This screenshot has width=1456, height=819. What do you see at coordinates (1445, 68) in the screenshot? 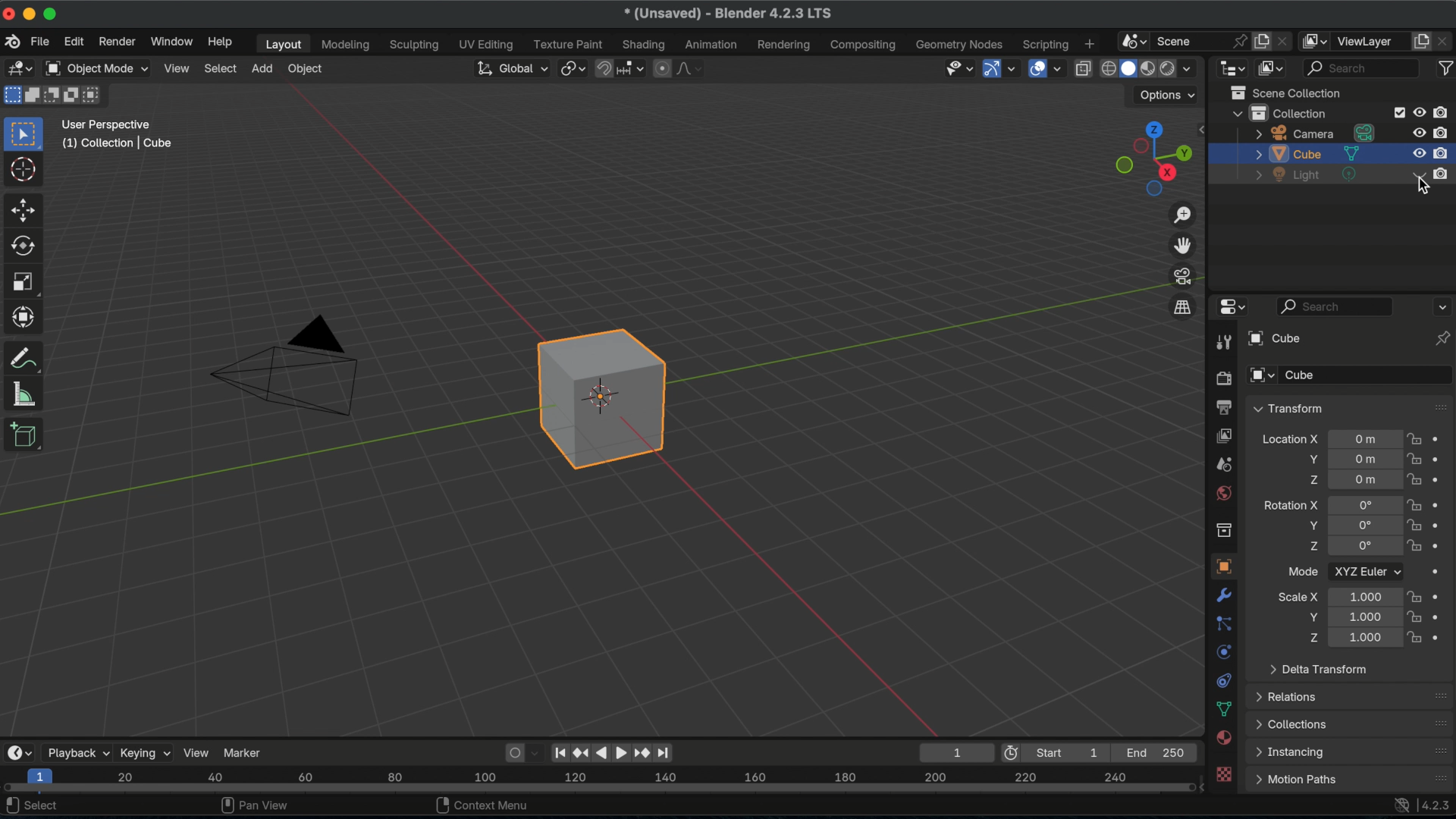
I see `filter` at bounding box center [1445, 68].